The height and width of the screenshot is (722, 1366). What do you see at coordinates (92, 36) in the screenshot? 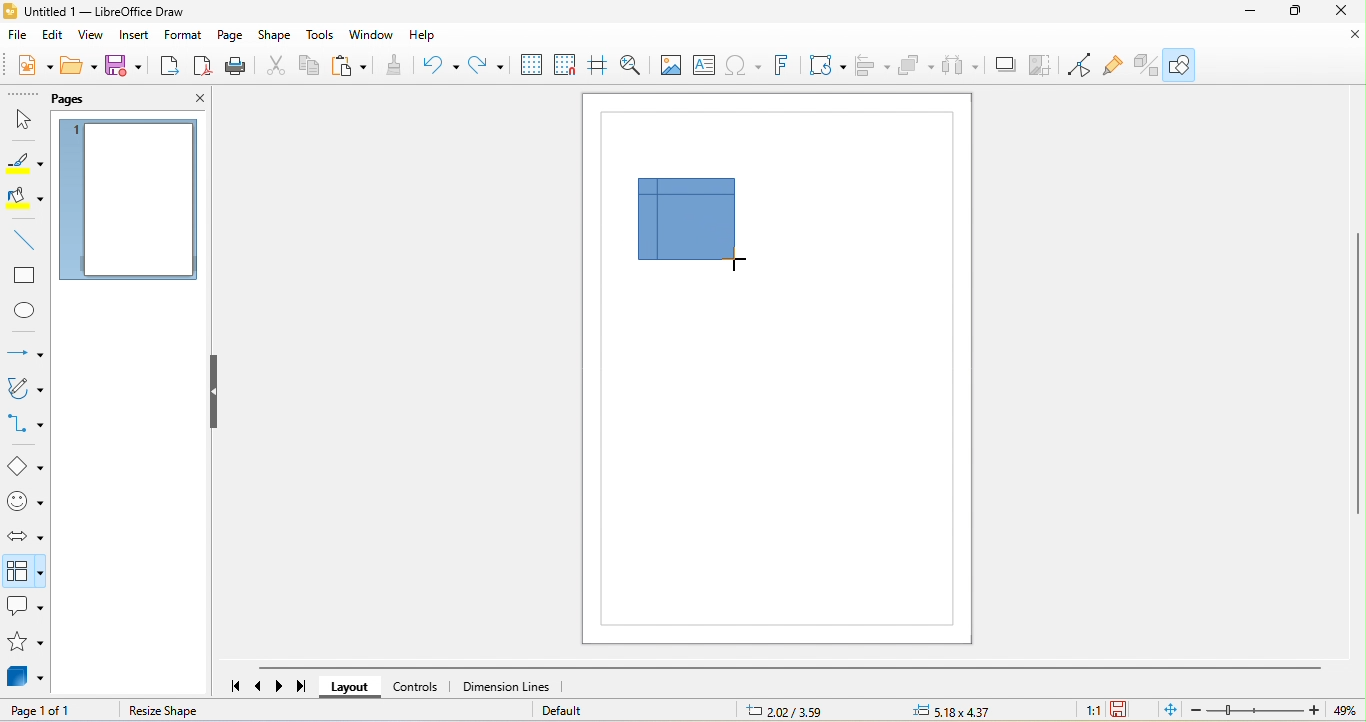
I see `view` at bounding box center [92, 36].